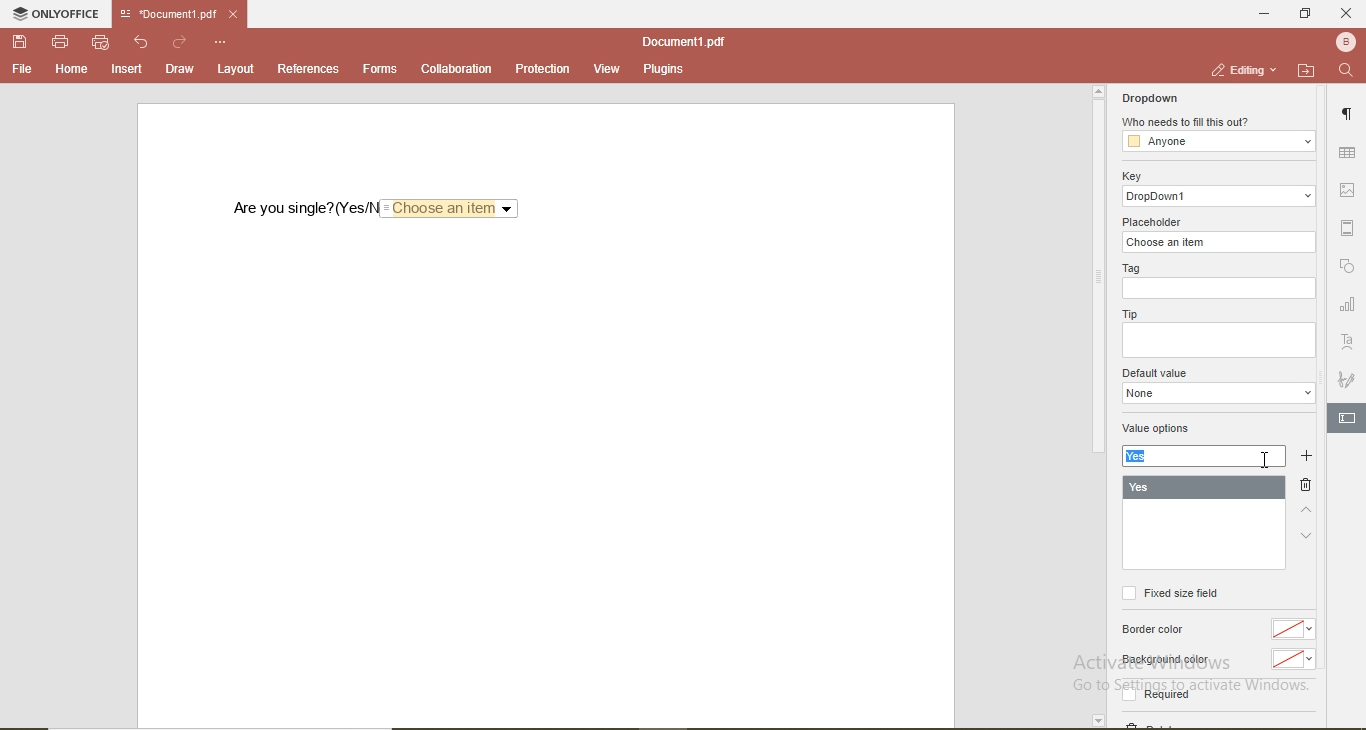  Describe the element at coordinates (1163, 659) in the screenshot. I see `Background color` at that location.